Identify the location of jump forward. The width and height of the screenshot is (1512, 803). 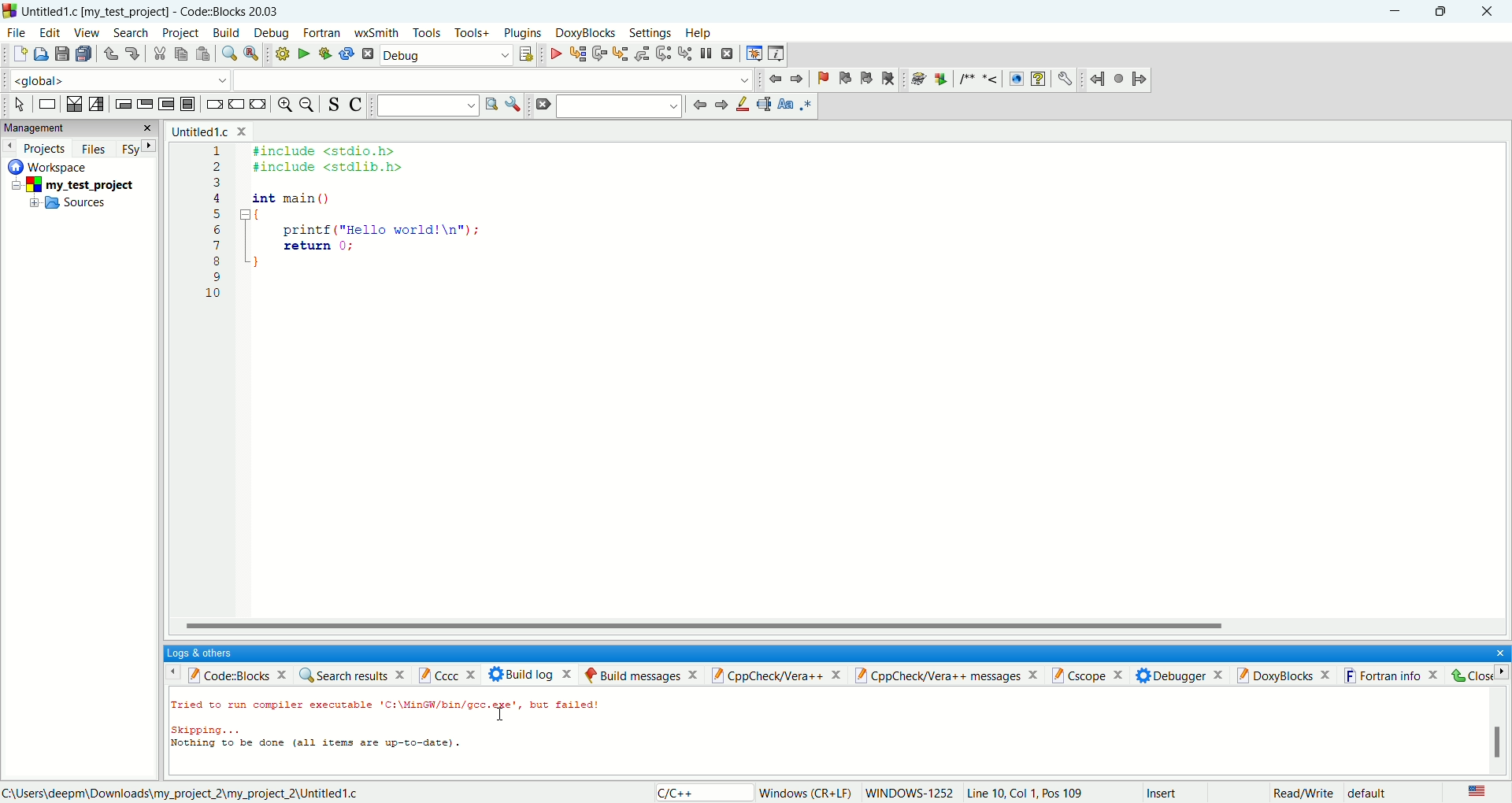
(1140, 77).